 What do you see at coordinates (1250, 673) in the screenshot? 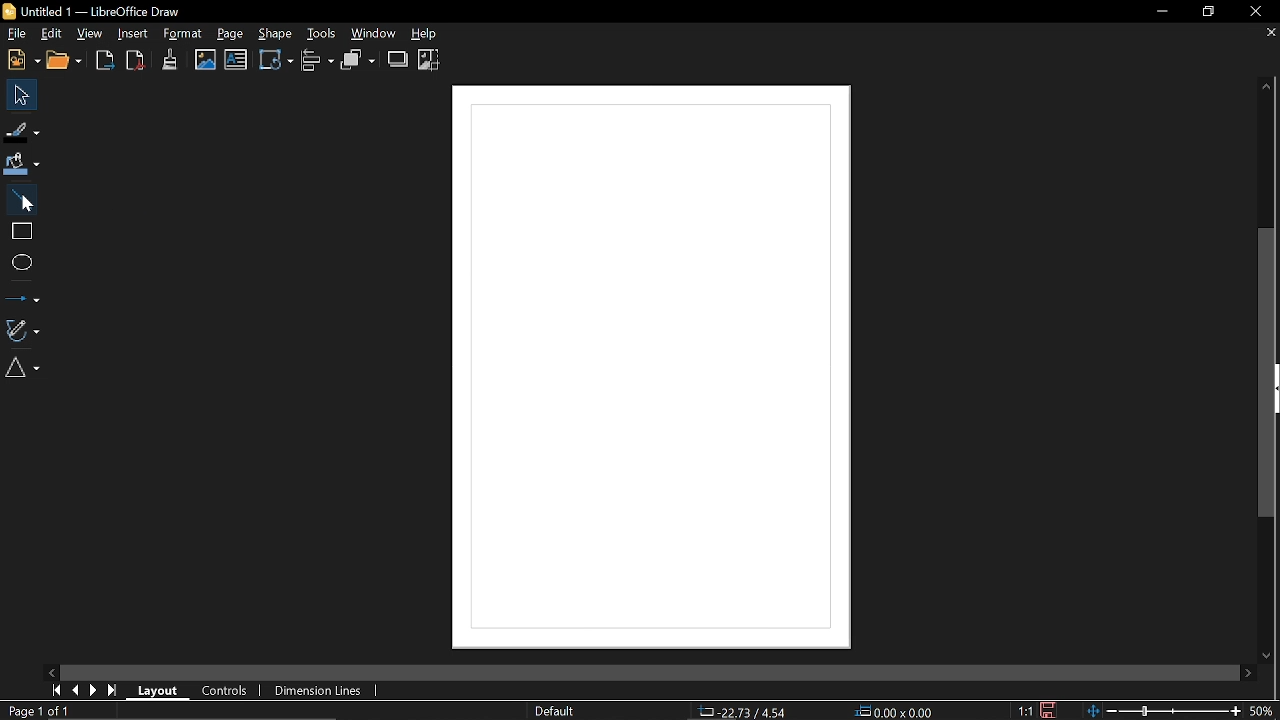
I see `Move right` at bounding box center [1250, 673].